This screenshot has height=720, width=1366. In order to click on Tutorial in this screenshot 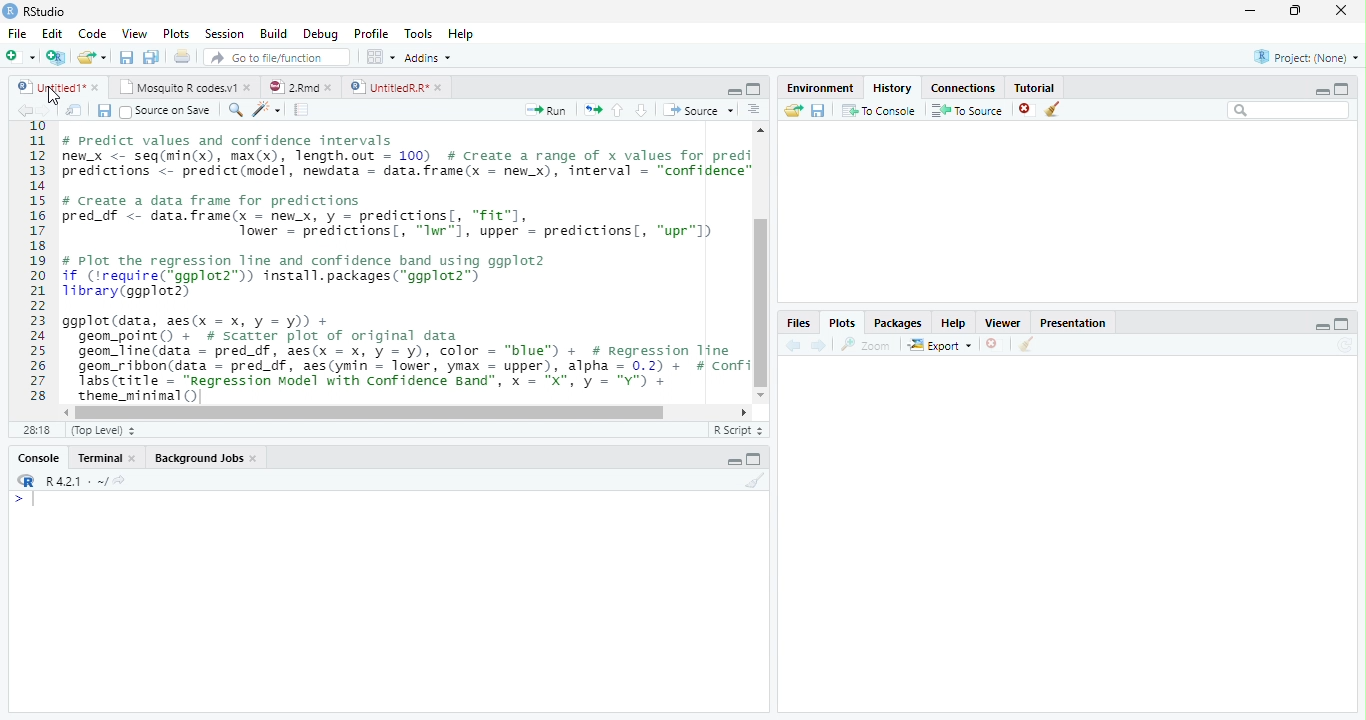, I will do `click(1035, 88)`.